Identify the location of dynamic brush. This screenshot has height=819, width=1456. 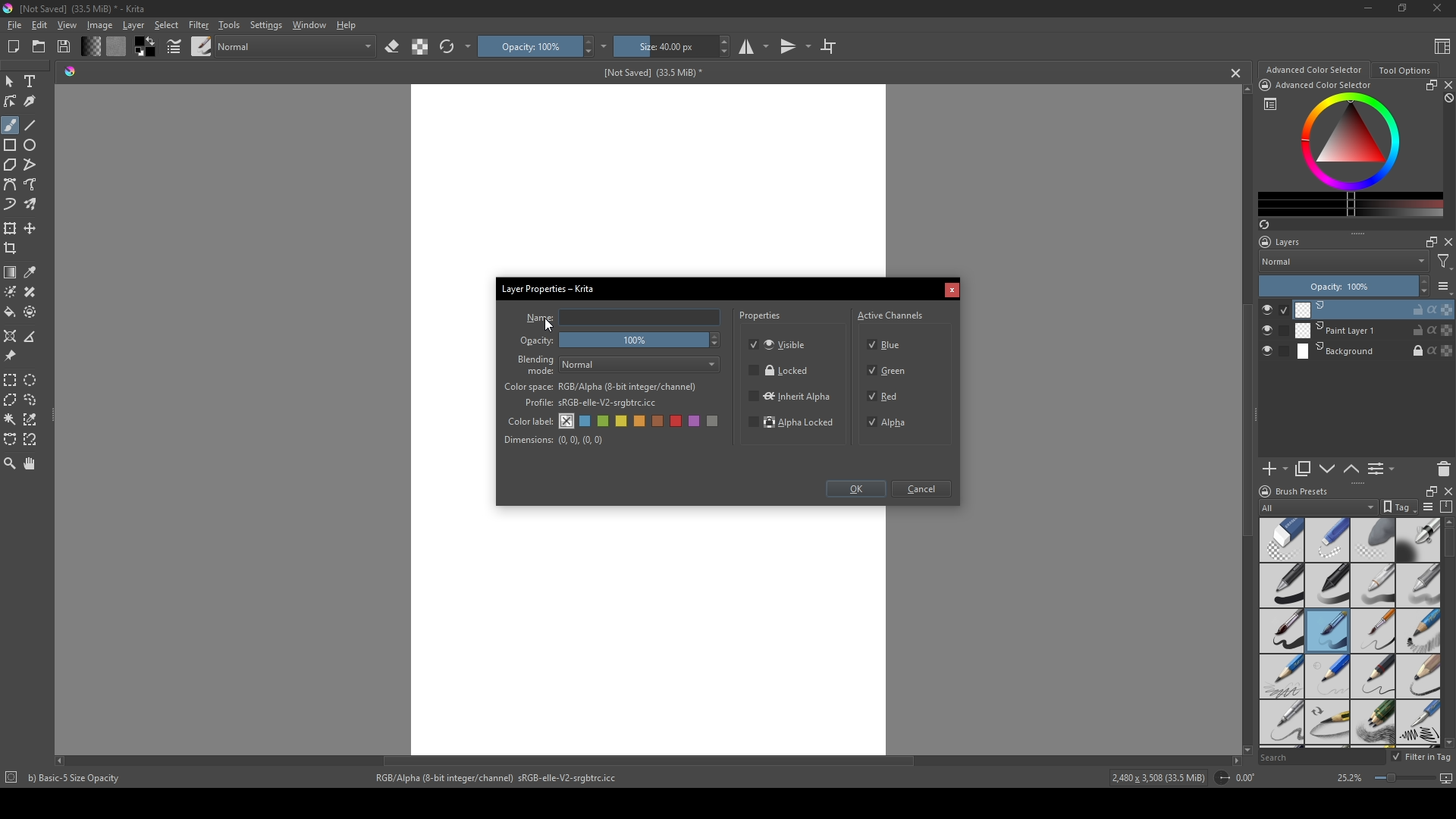
(11, 206).